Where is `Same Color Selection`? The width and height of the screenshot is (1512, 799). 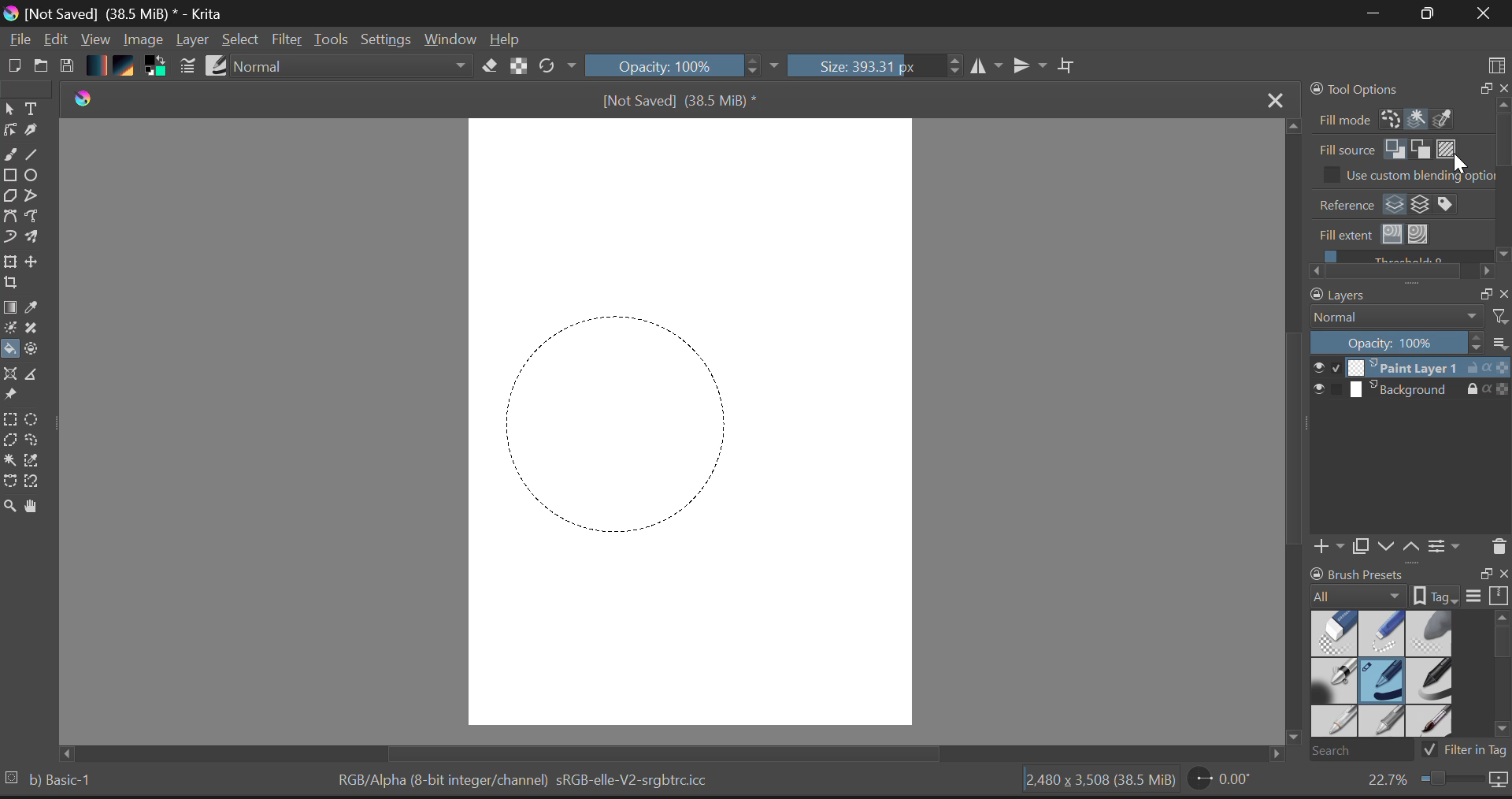
Same Color Selection is located at coordinates (37, 463).